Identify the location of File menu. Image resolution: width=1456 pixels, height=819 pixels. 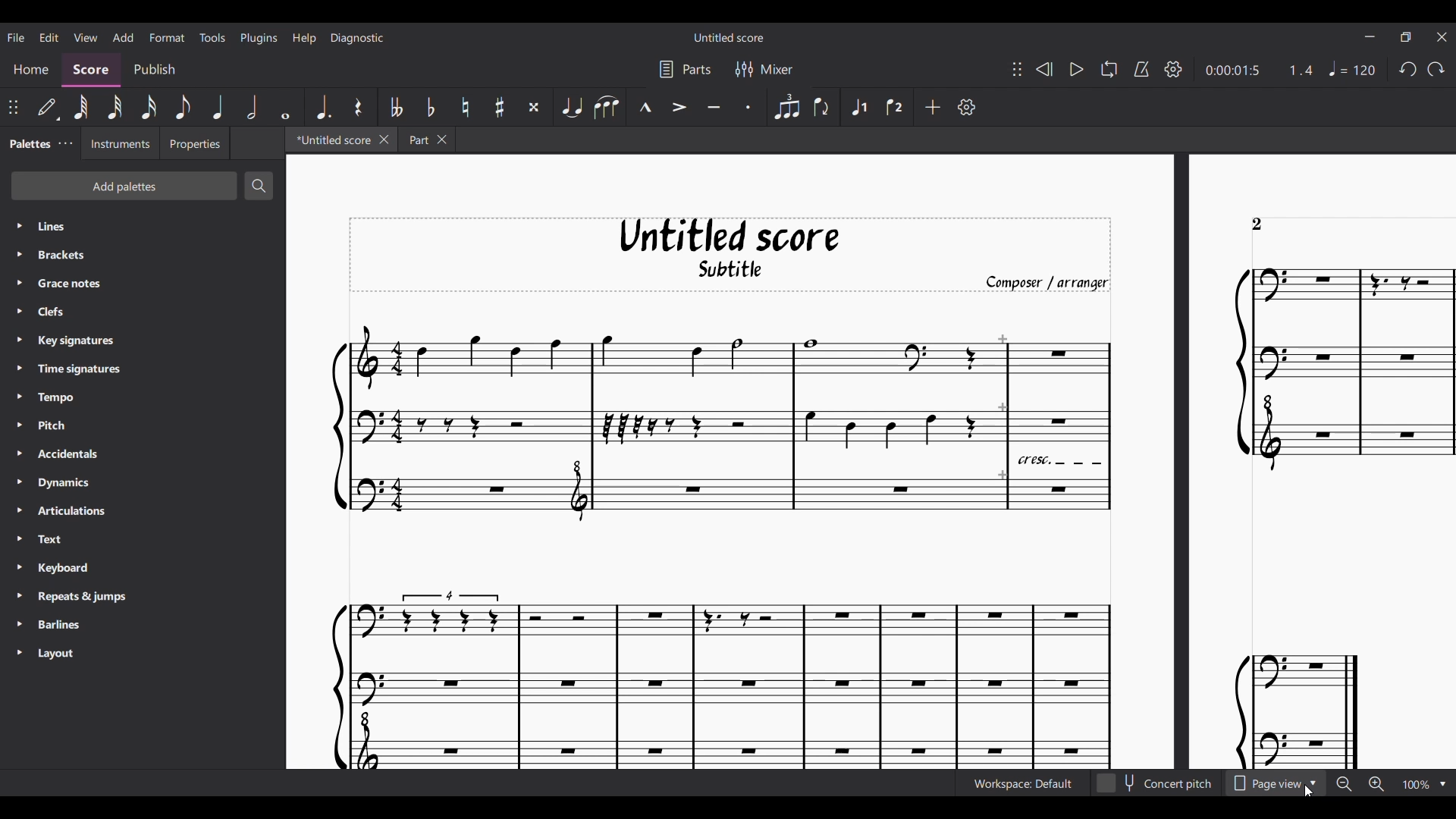
(15, 37).